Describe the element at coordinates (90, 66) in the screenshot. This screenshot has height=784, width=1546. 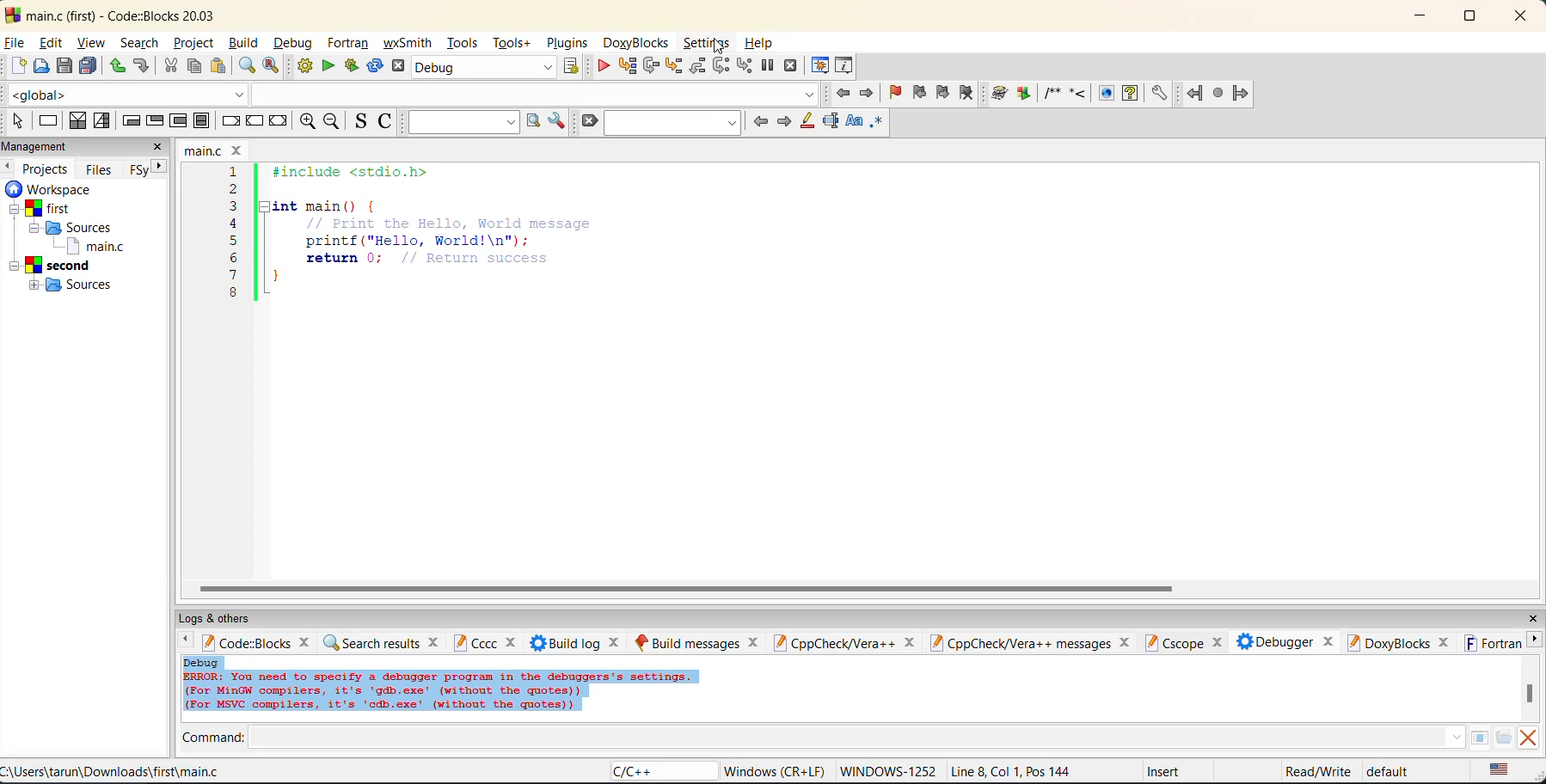
I see `save everything` at that location.